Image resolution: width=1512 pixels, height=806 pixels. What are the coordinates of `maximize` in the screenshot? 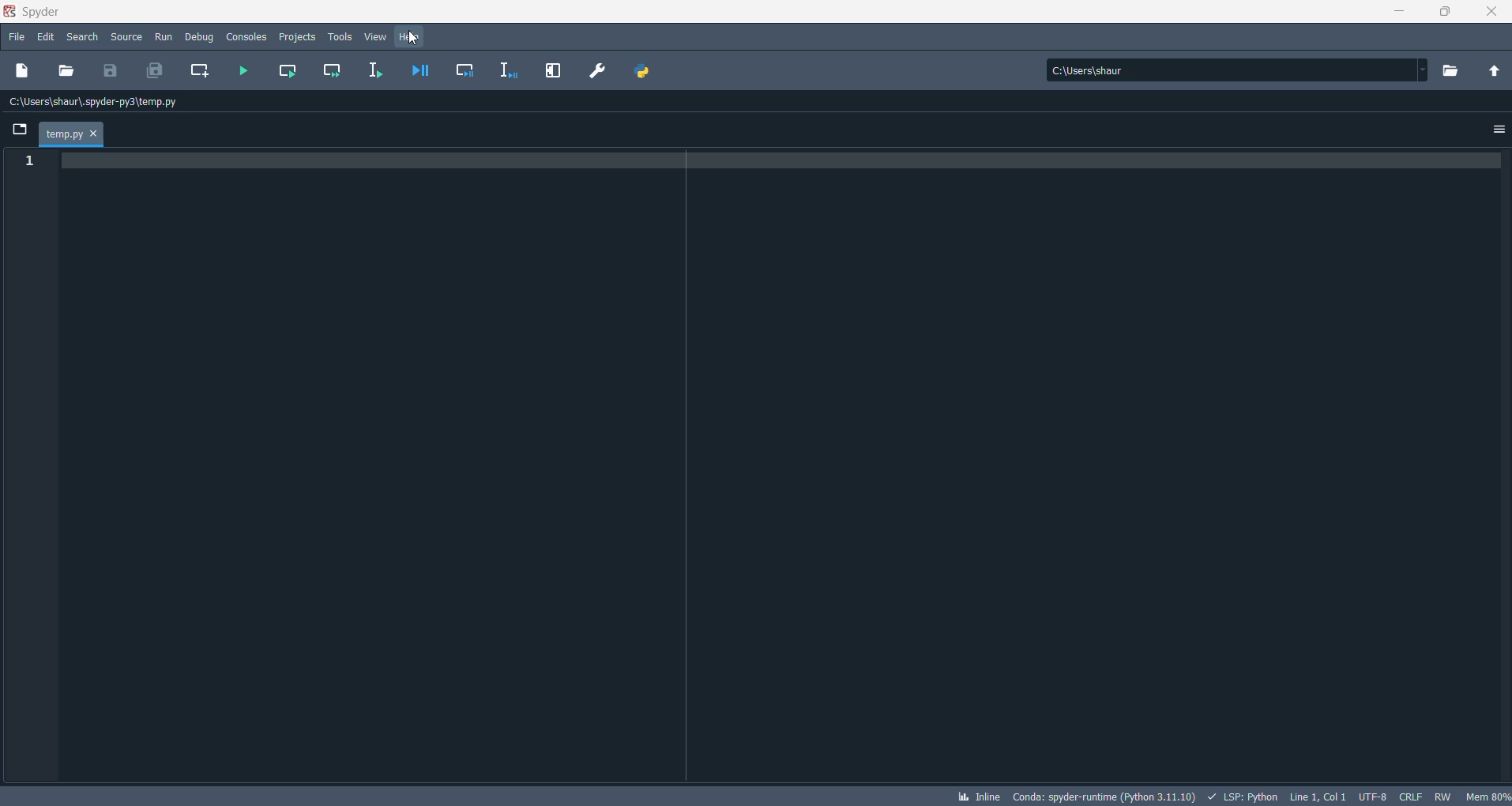 It's located at (1446, 13).